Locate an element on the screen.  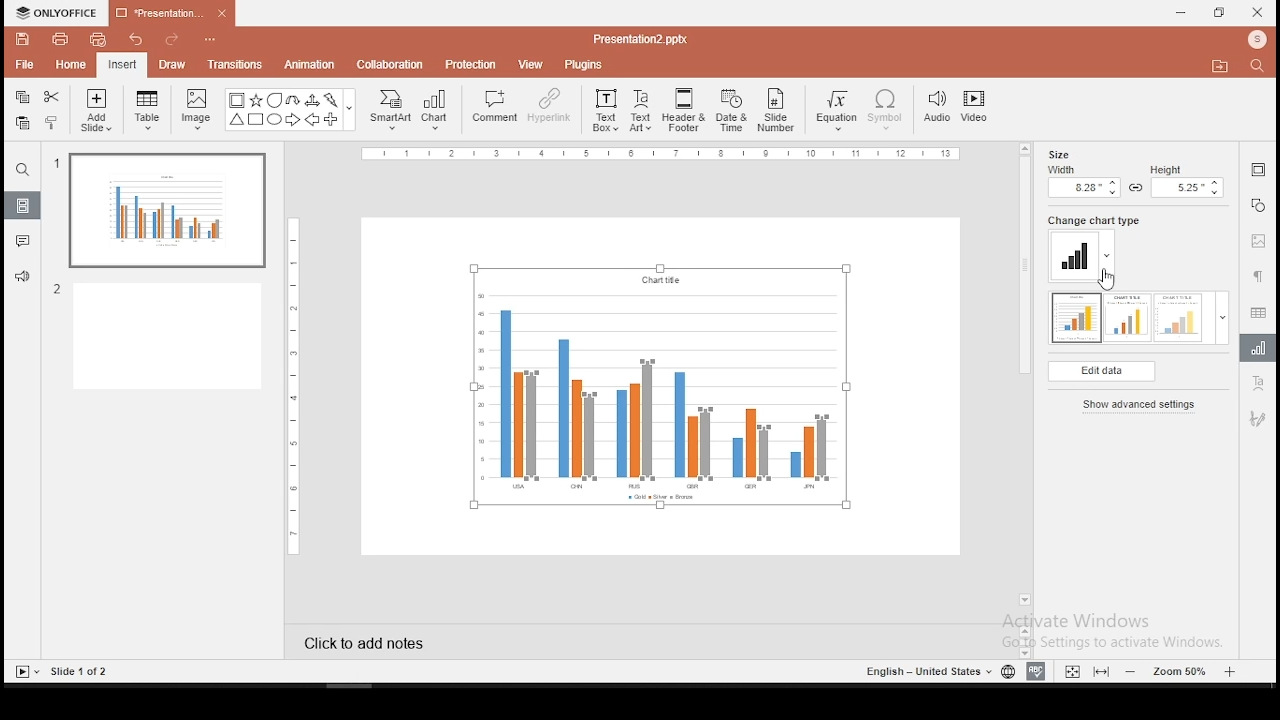
search is located at coordinates (1260, 67).